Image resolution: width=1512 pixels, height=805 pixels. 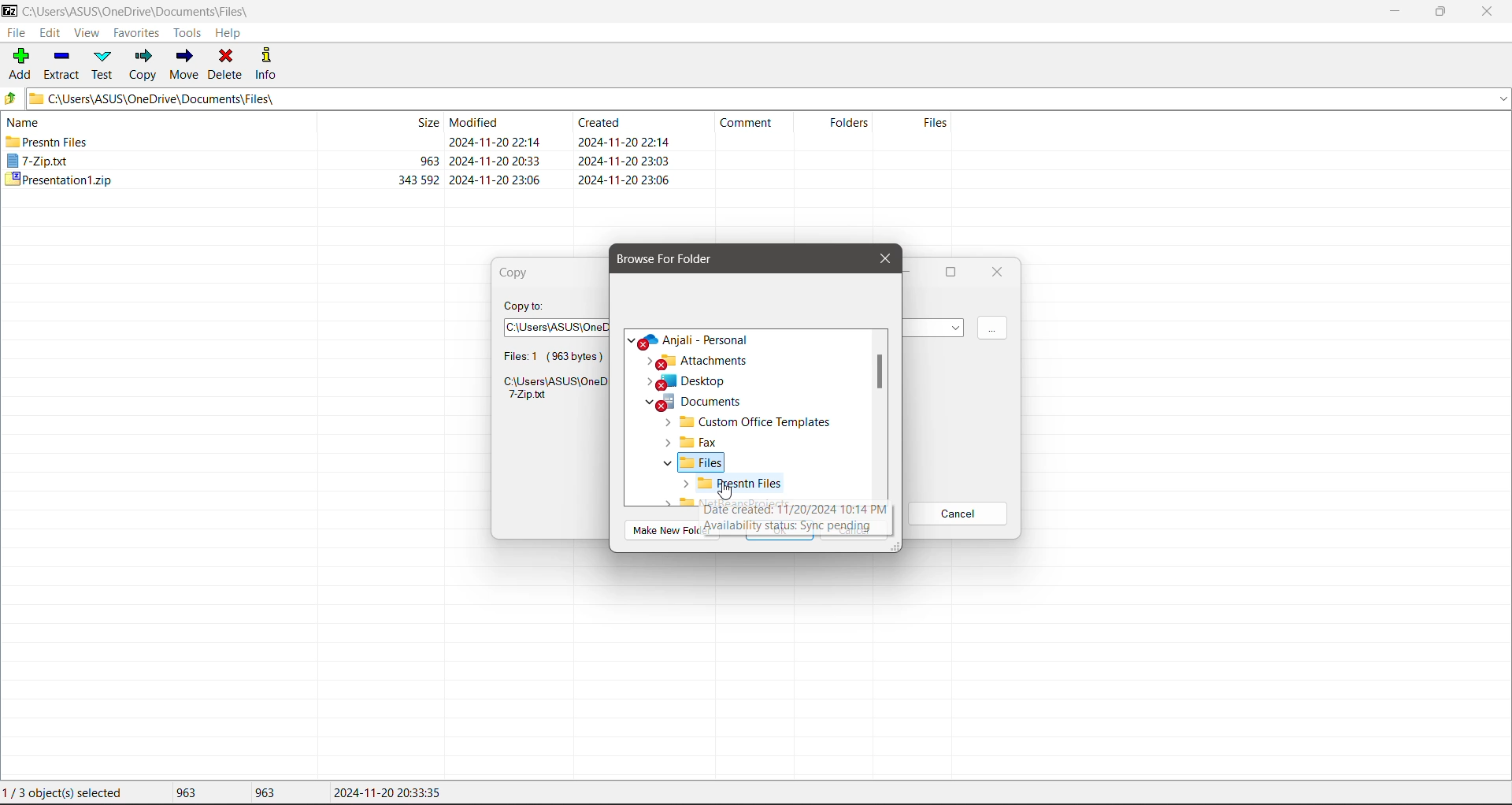 I want to click on Close, so click(x=1488, y=12).